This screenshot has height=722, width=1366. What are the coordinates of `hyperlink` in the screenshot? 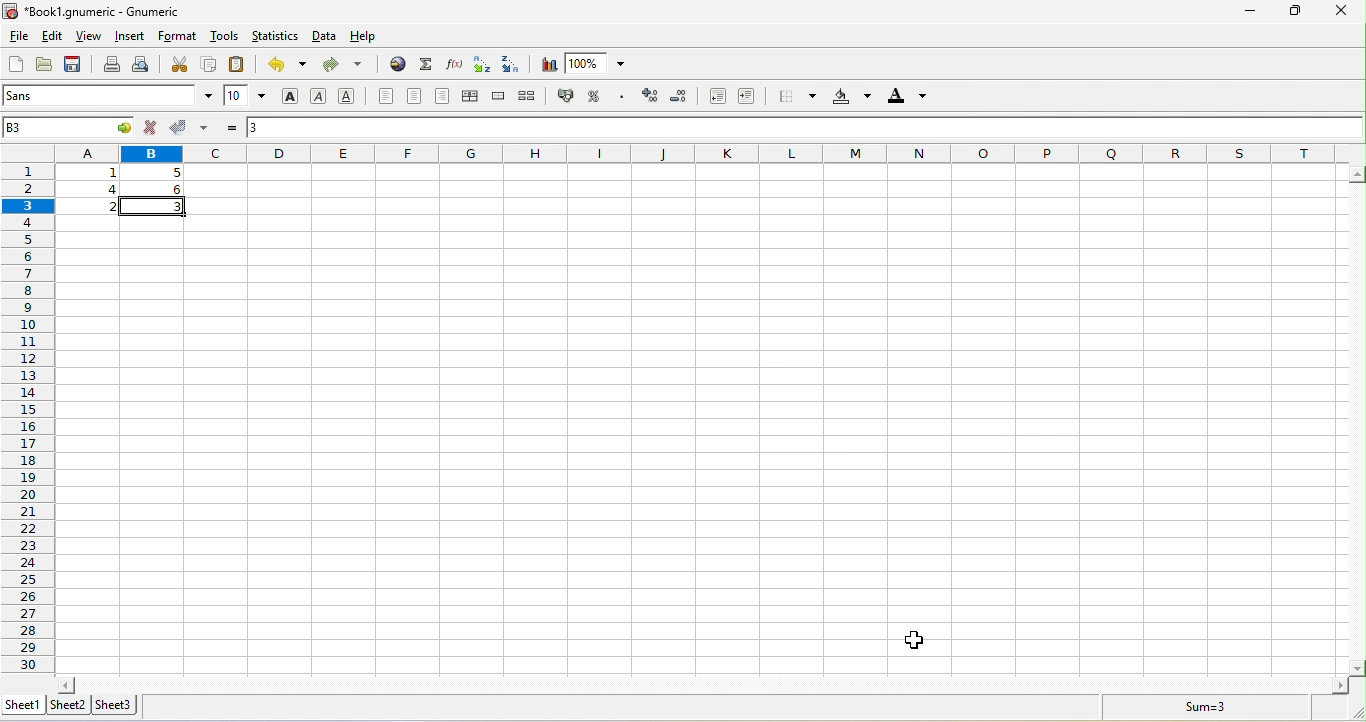 It's located at (395, 66).